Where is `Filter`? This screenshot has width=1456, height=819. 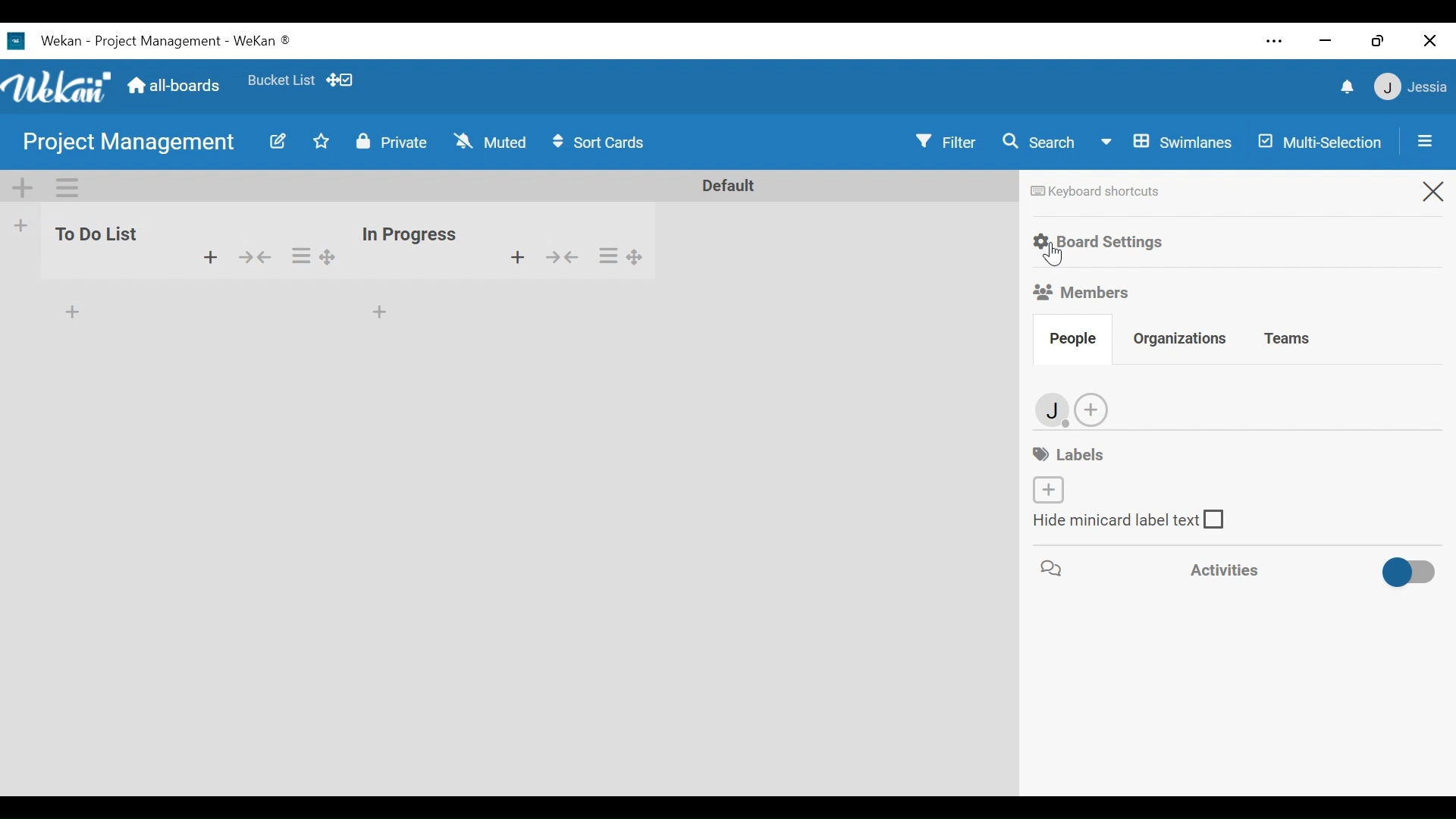 Filter is located at coordinates (946, 142).